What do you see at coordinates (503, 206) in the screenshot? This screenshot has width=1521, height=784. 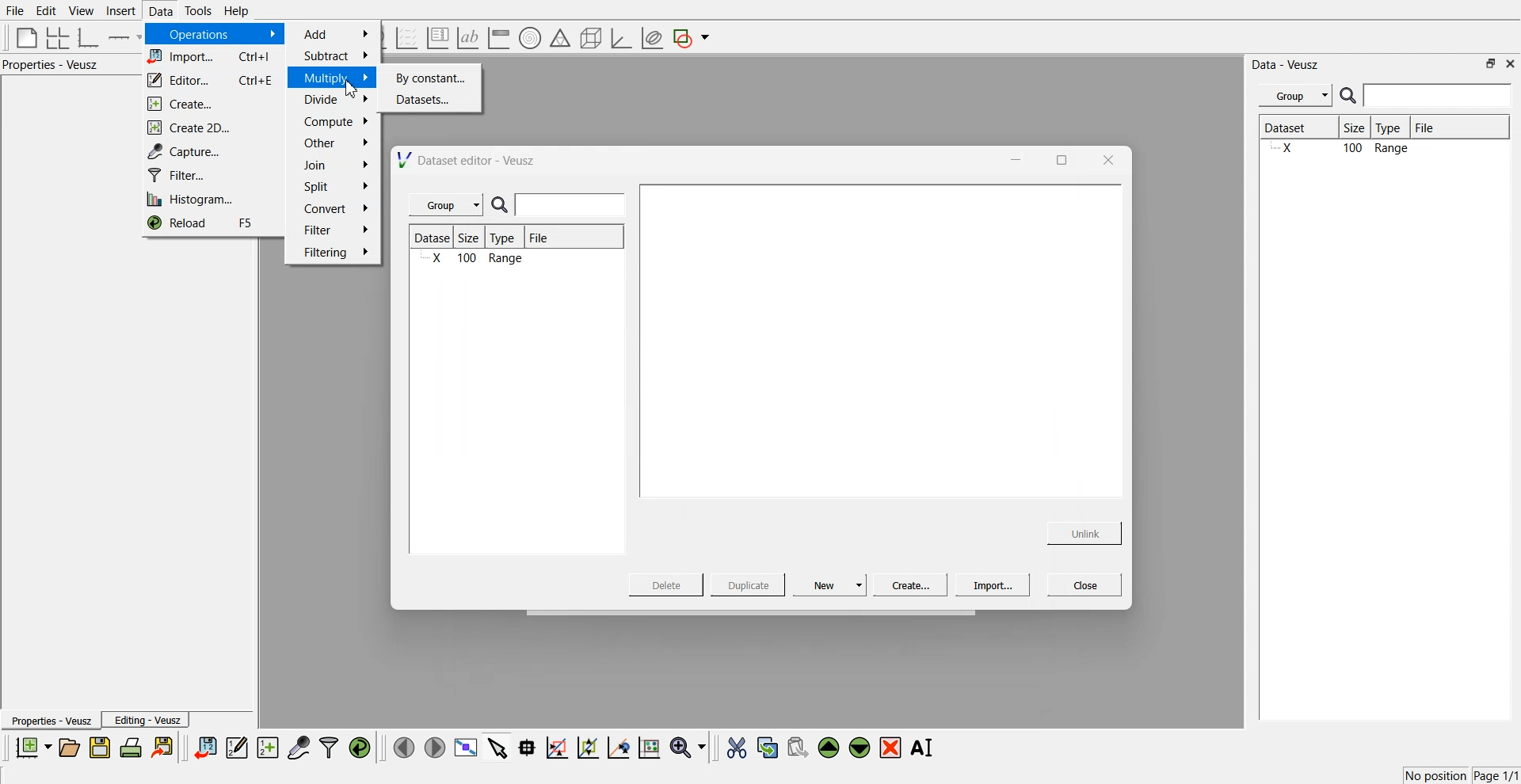 I see `search icon` at bounding box center [503, 206].